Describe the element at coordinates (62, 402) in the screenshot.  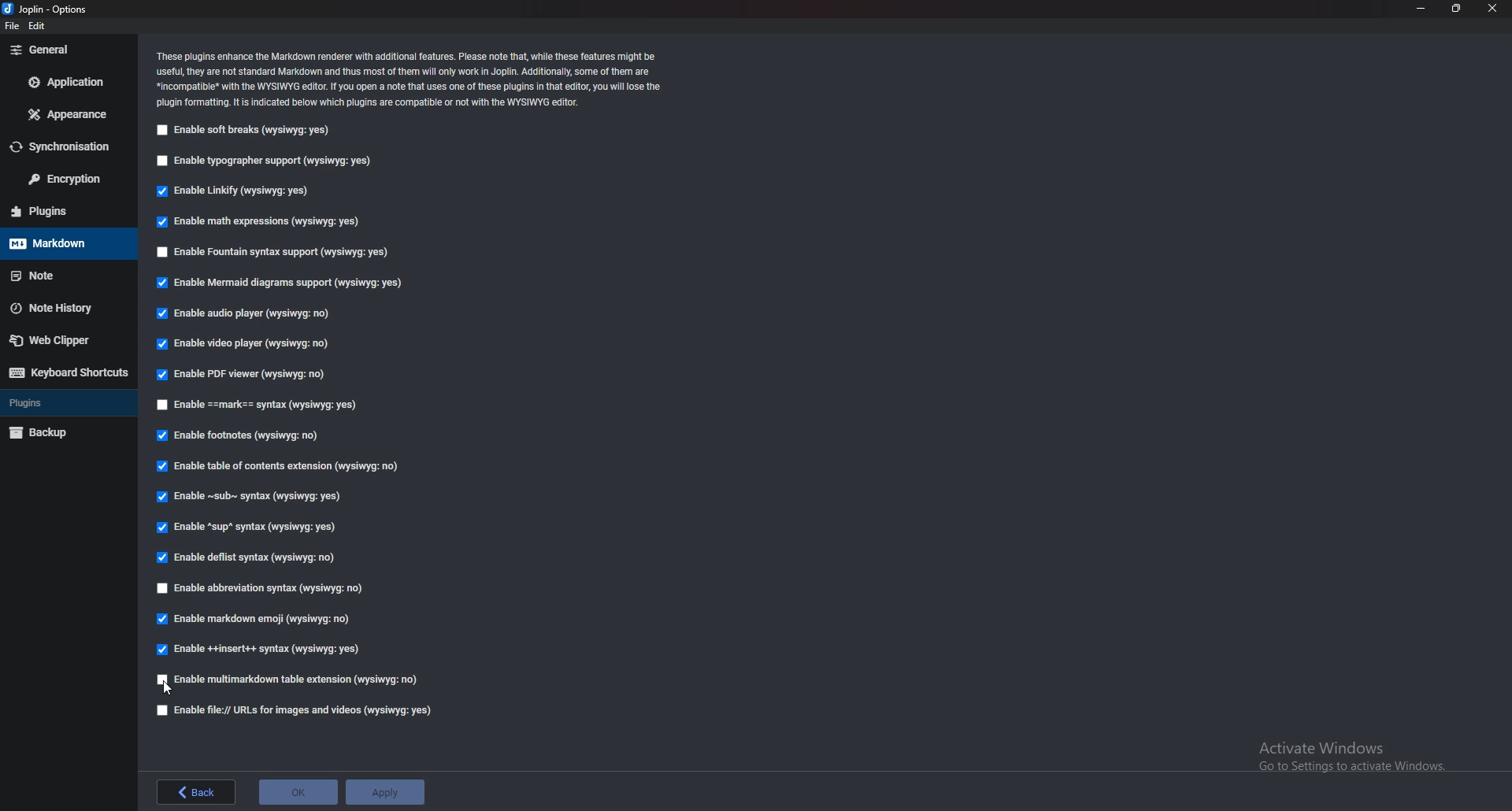
I see `Plugins` at that location.